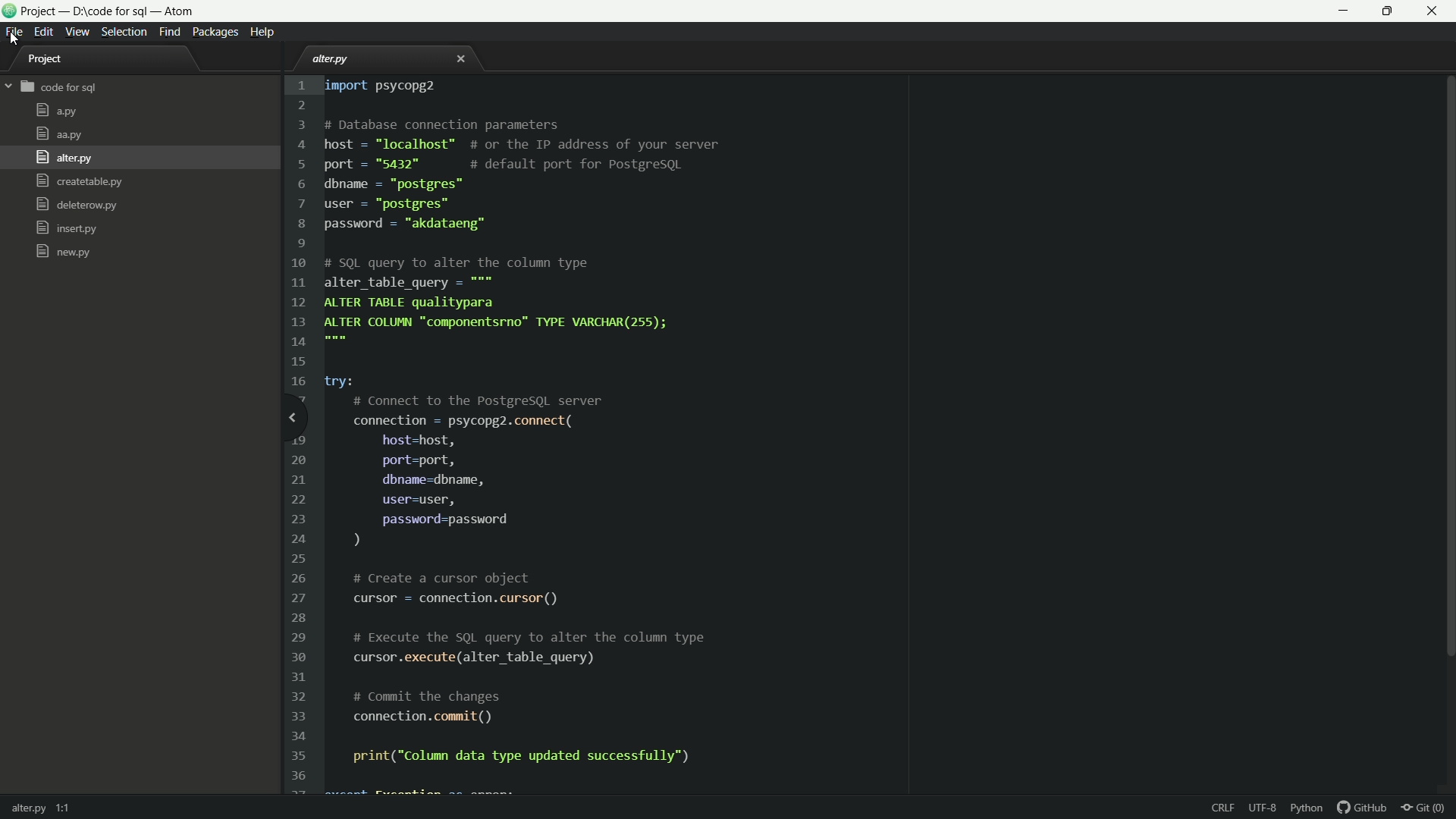  I want to click on full screen, so click(1392, 11).